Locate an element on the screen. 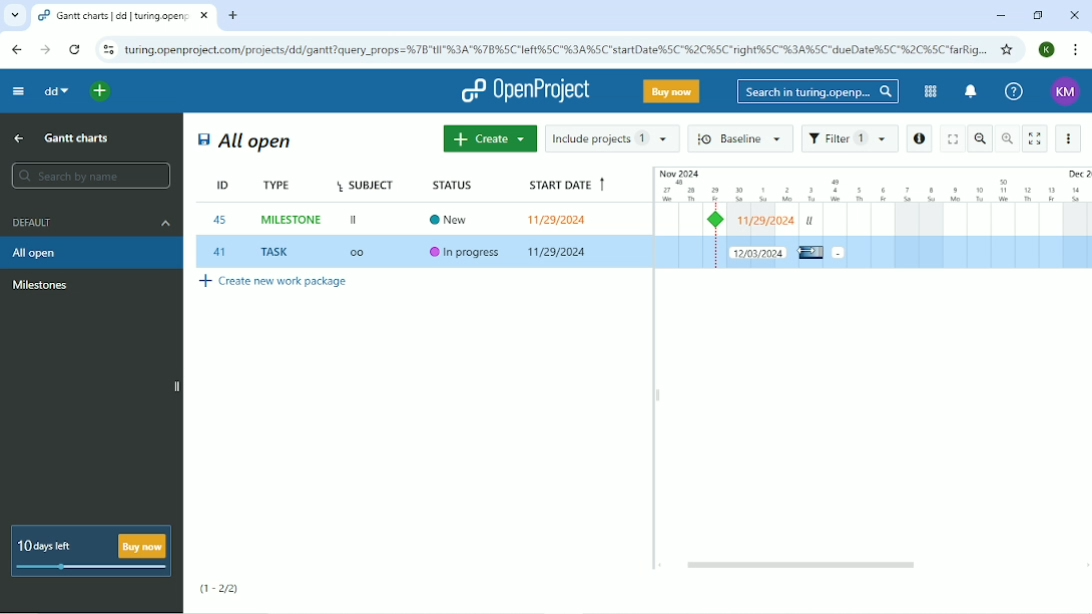  Search by name is located at coordinates (89, 175).